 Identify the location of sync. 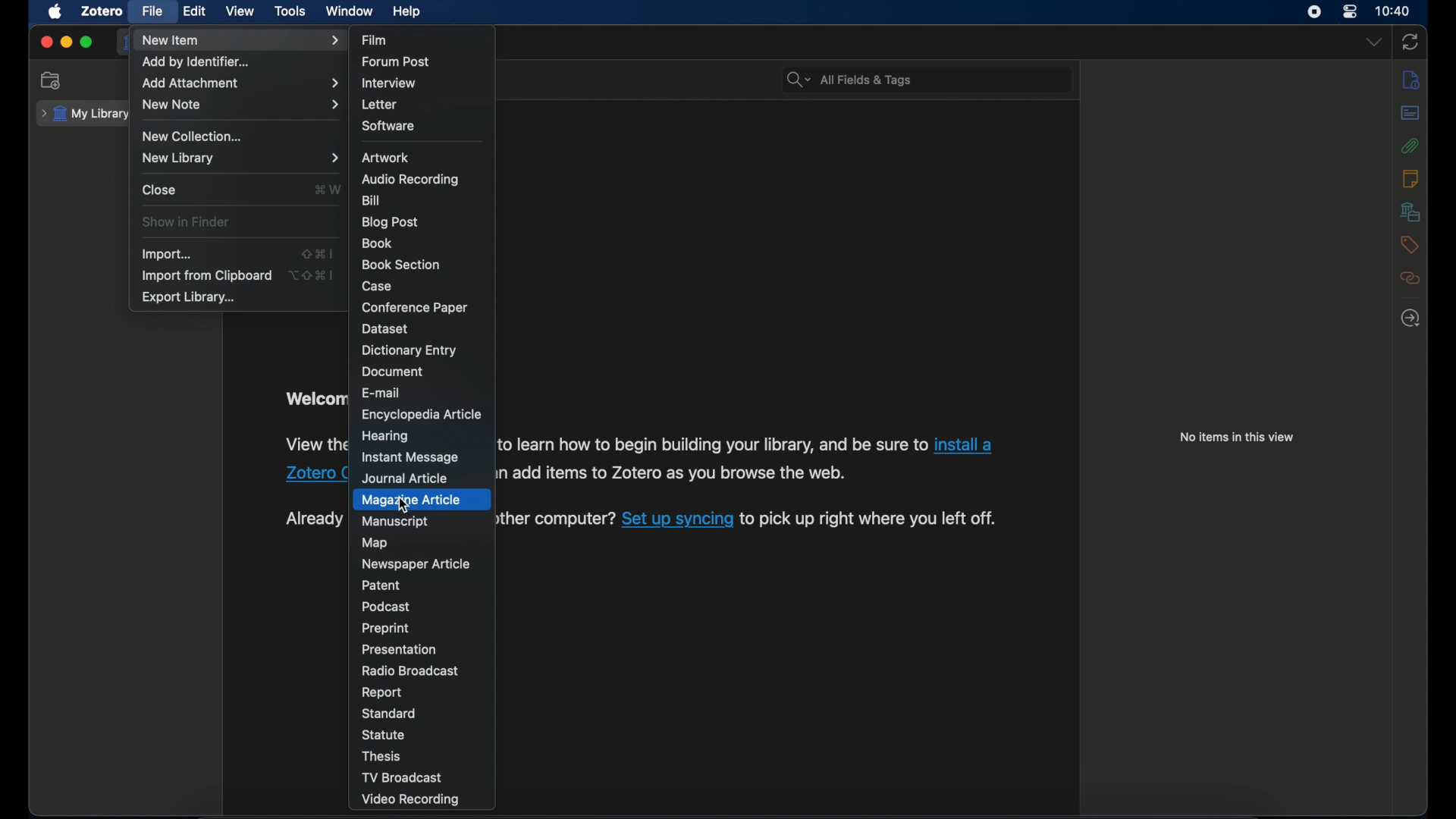
(1410, 43).